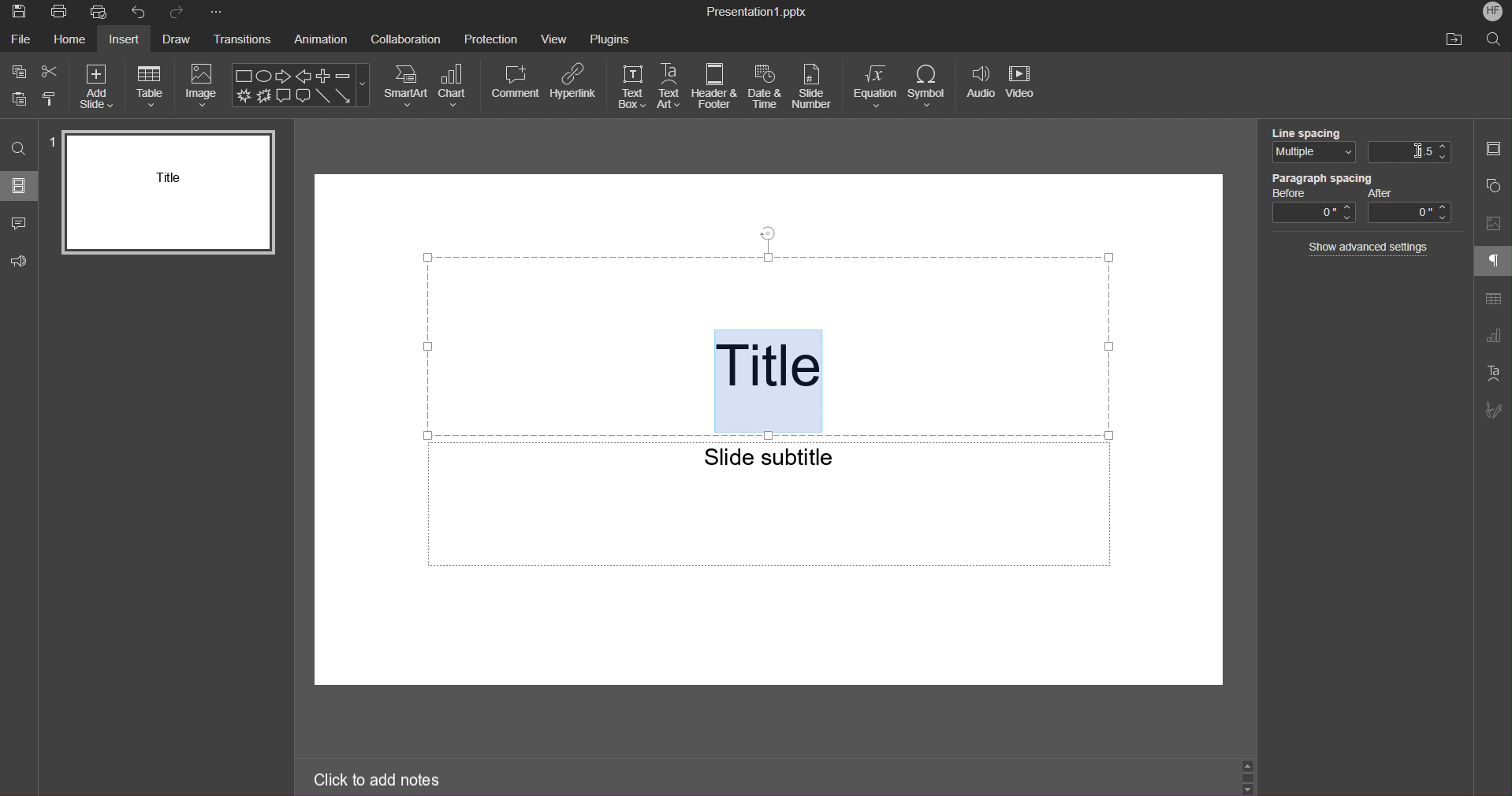  I want to click on TextArt, so click(672, 87).